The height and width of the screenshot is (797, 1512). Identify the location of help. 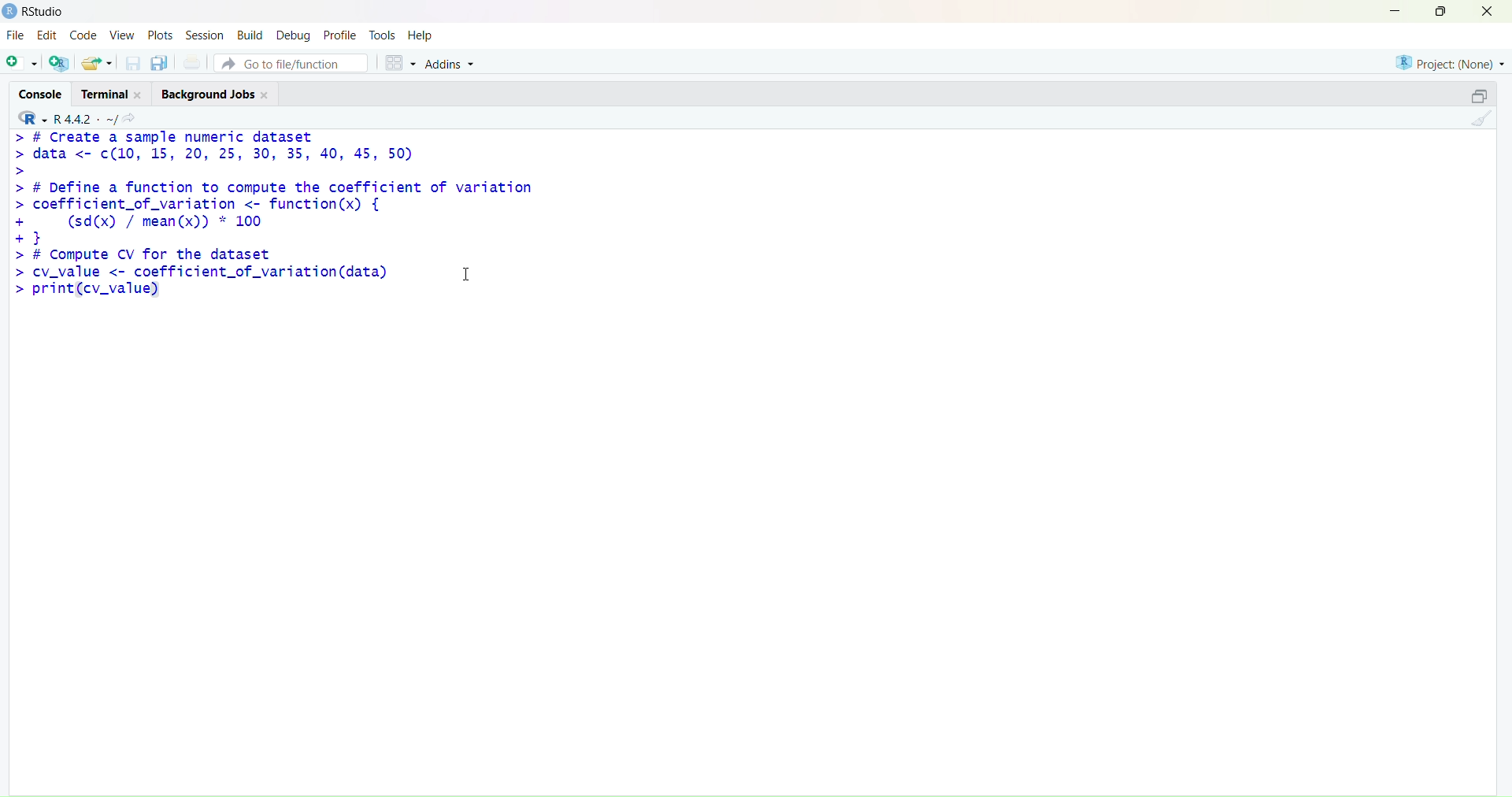
(421, 36).